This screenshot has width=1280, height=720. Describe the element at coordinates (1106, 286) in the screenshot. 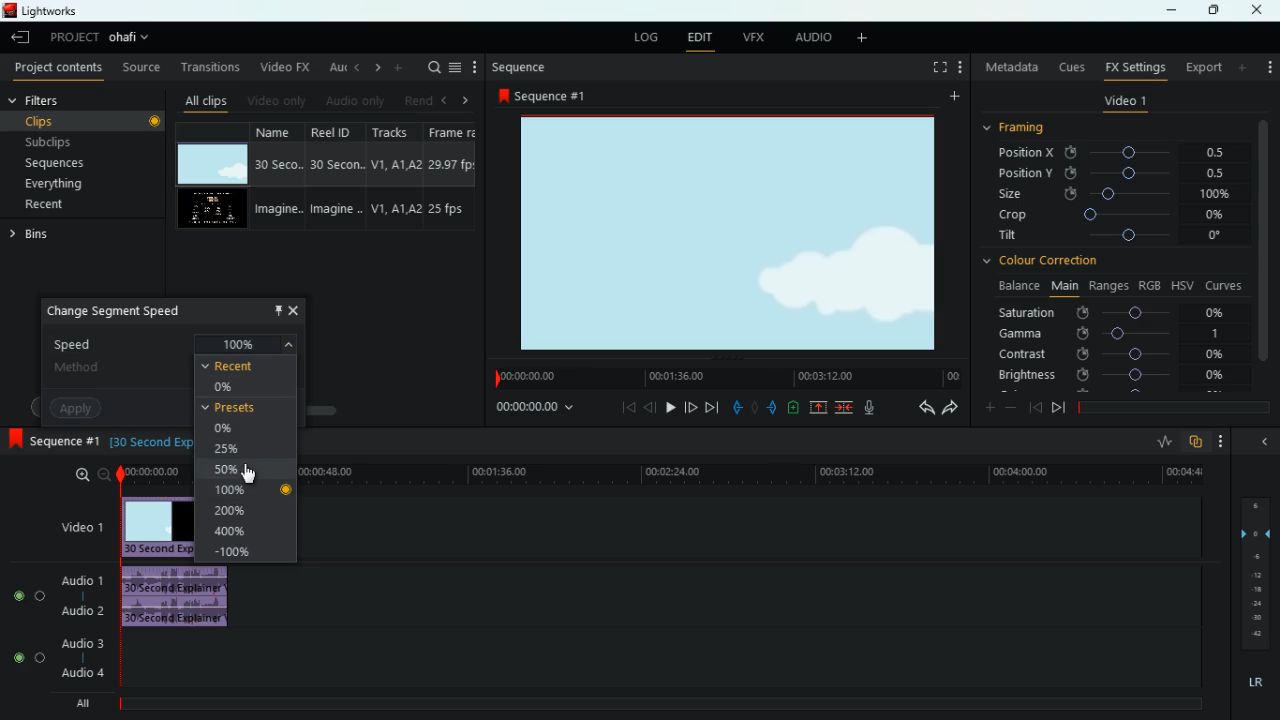

I see `ranges` at that location.